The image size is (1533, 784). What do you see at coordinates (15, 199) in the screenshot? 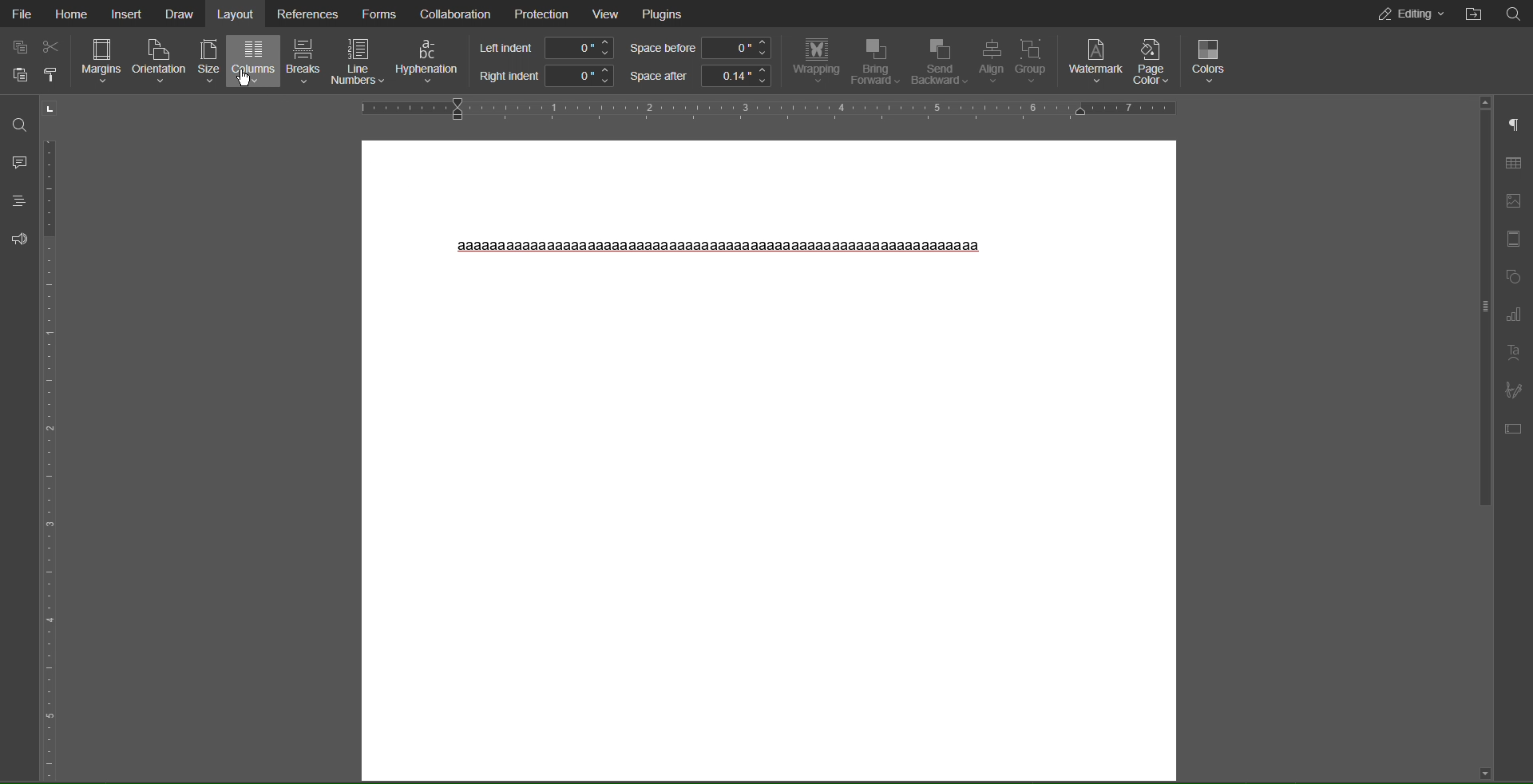
I see `Headings` at bounding box center [15, 199].